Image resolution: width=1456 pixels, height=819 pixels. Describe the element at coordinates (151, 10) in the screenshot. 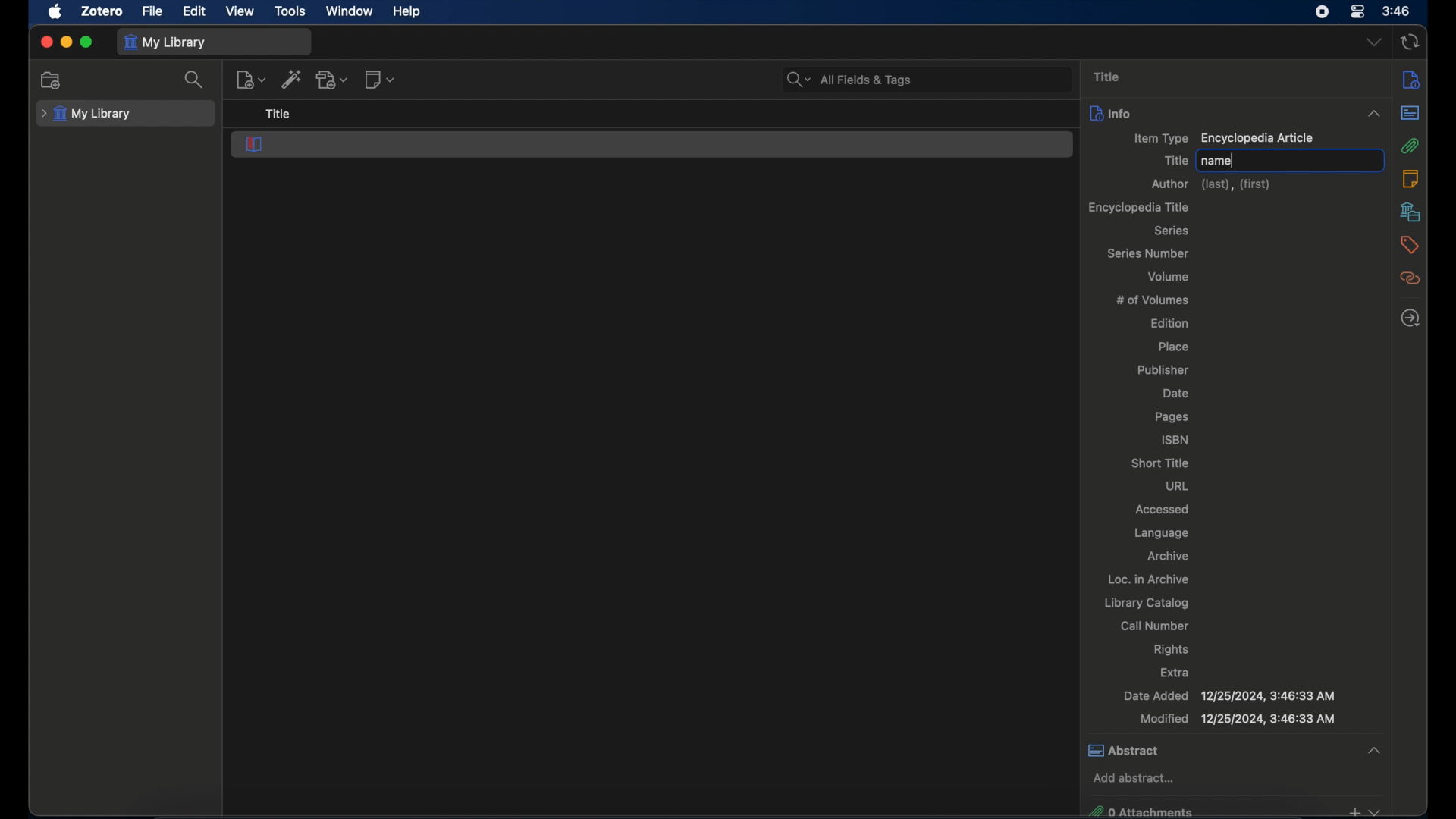

I see `file` at that location.